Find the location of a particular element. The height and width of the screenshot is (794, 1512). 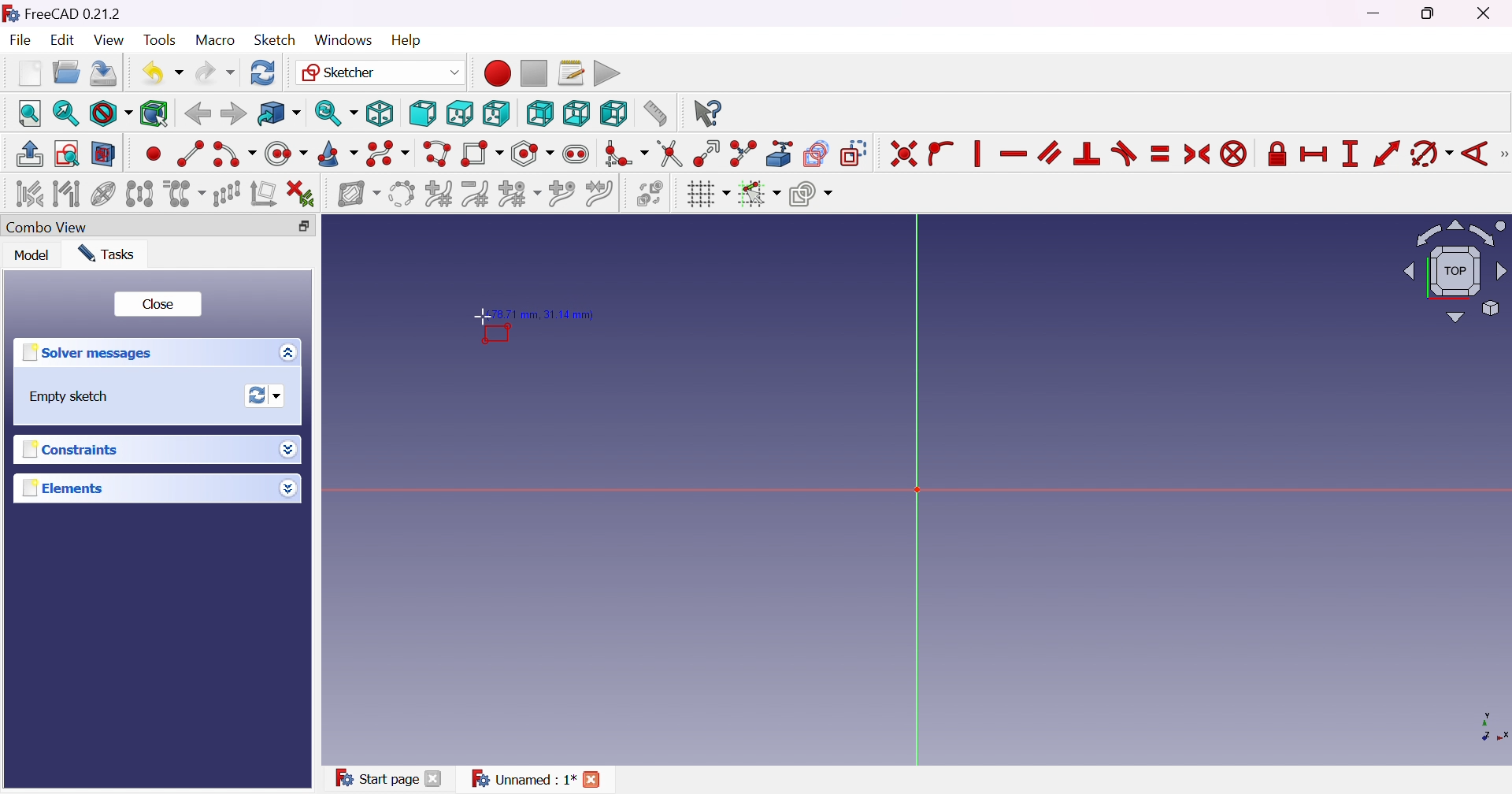

Create carbon copy is located at coordinates (817, 154).